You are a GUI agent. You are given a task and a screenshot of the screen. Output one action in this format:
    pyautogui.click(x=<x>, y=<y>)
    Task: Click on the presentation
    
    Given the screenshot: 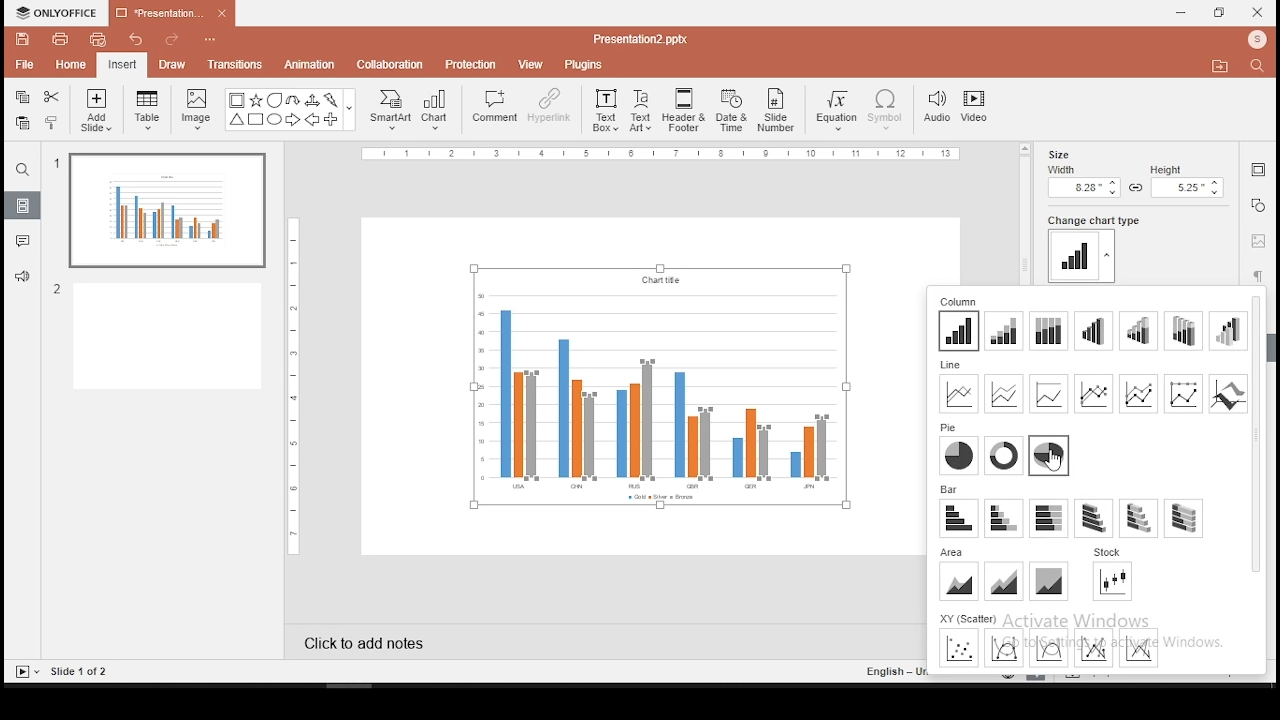 What is the action you would take?
    pyautogui.click(x=169, y=13)
    